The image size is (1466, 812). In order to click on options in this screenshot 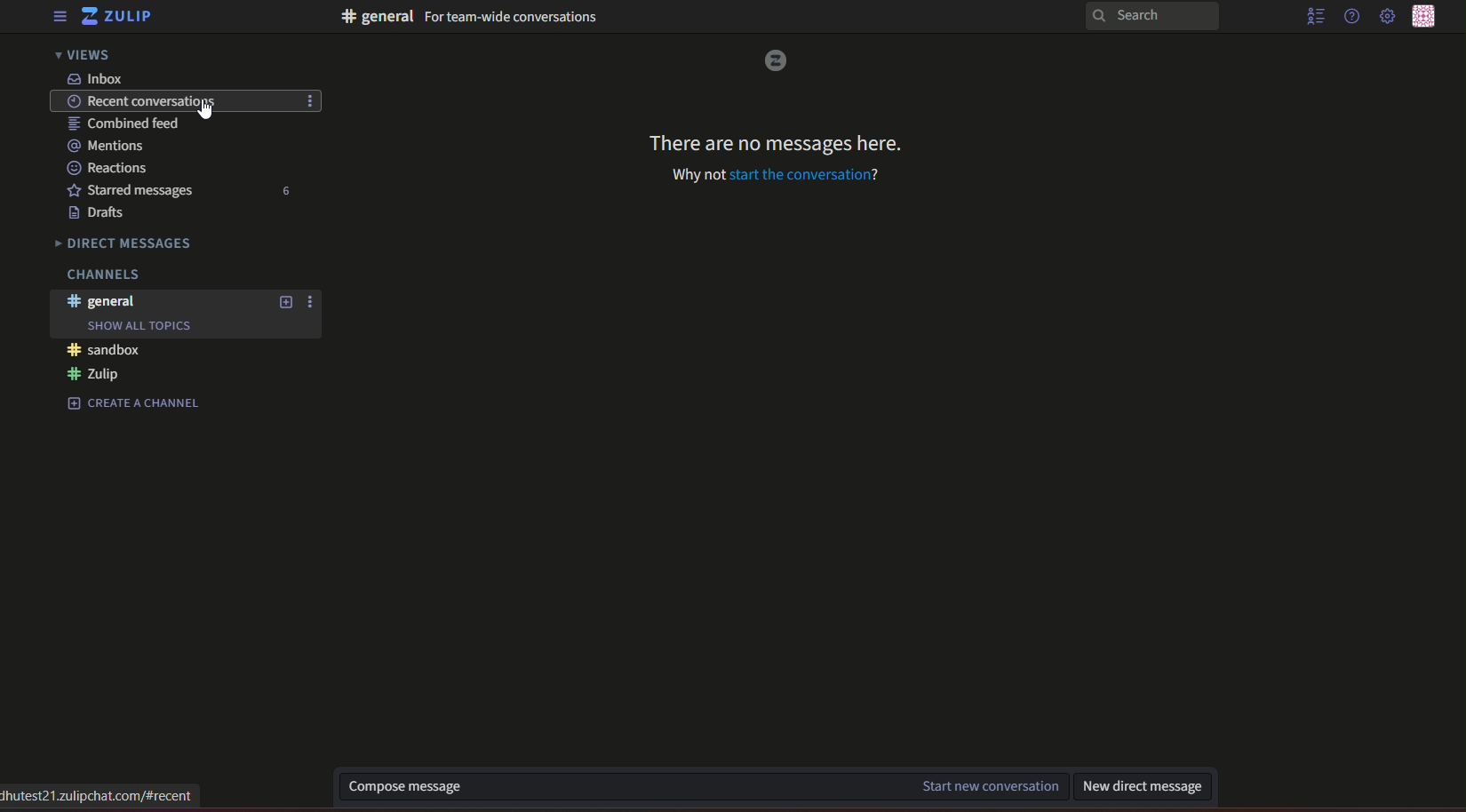, I will do `click(310, 303)`.